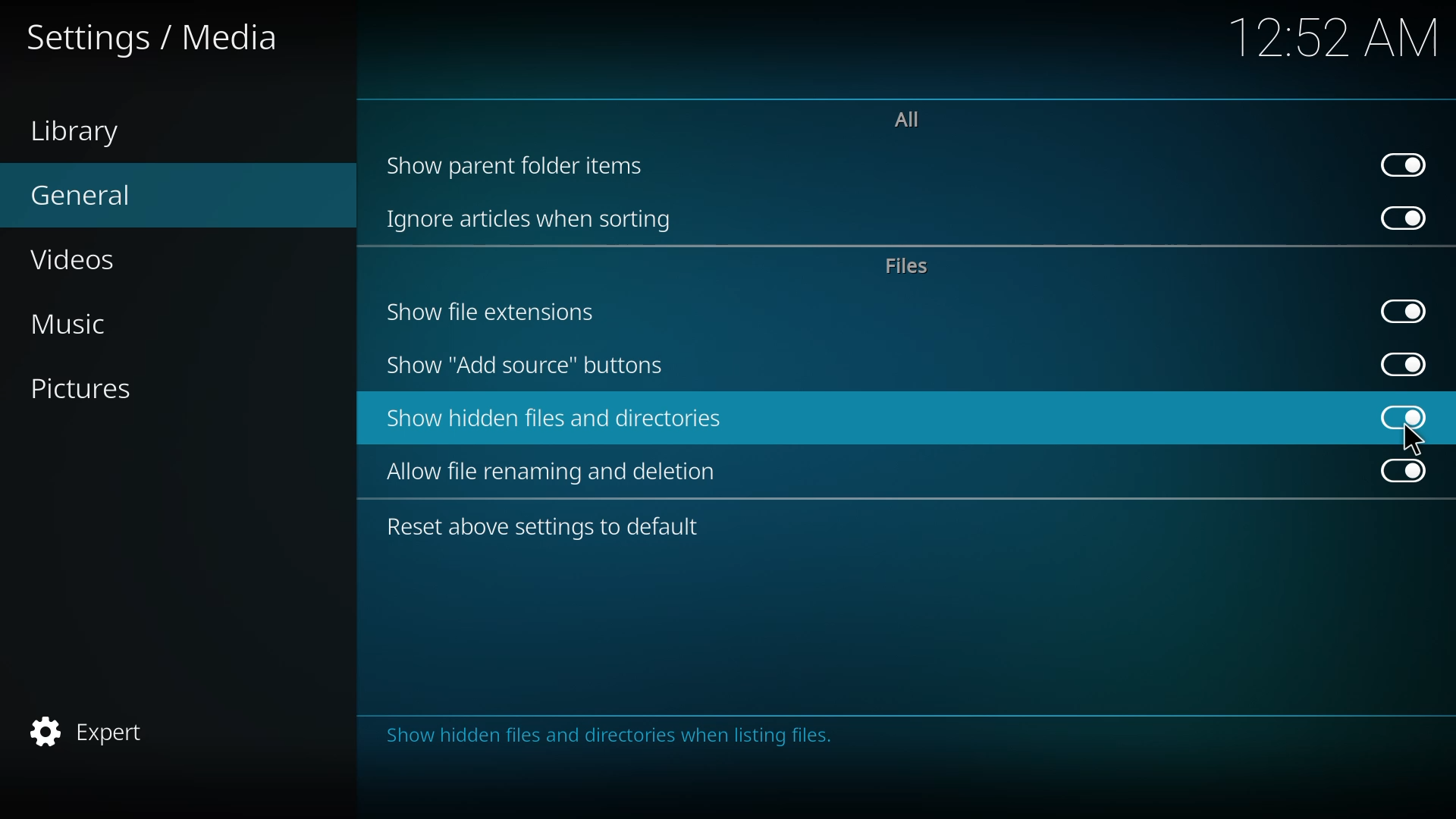 The width and height of the screenshot is (1456, 819). Describe the element at coordinates (1404, 216) in the screenshot. I see `enabled` at that location.